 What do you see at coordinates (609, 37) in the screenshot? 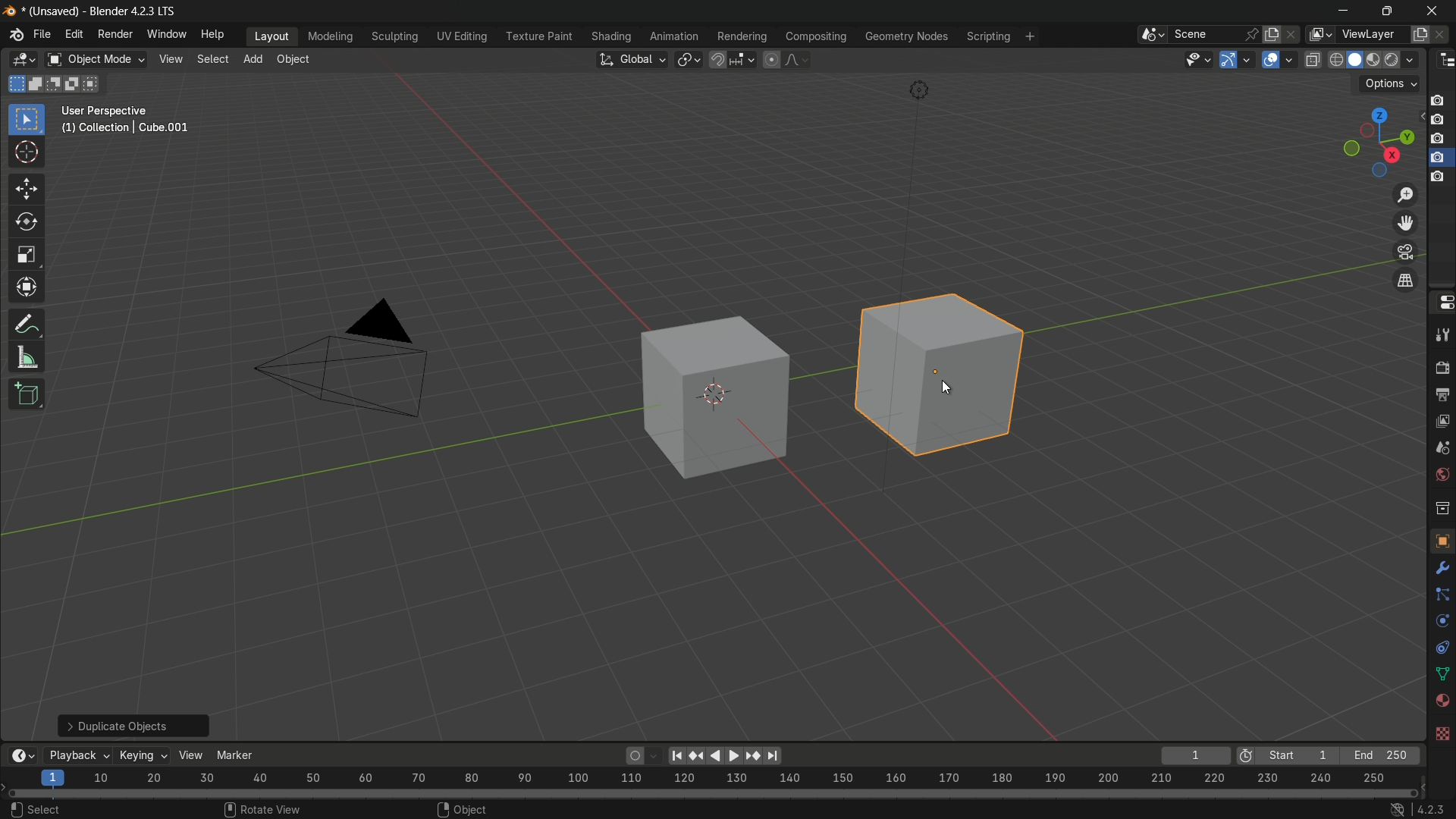
I see `shading menu` at bounding box center [609, 37].